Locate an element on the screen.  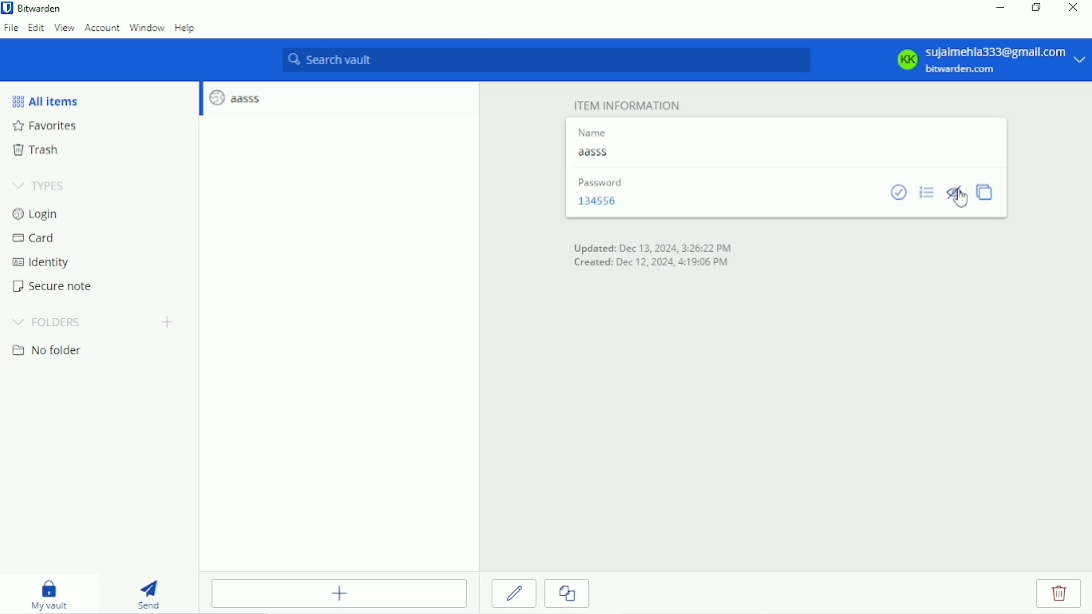
Delete is located at coordinates (1061, 593).